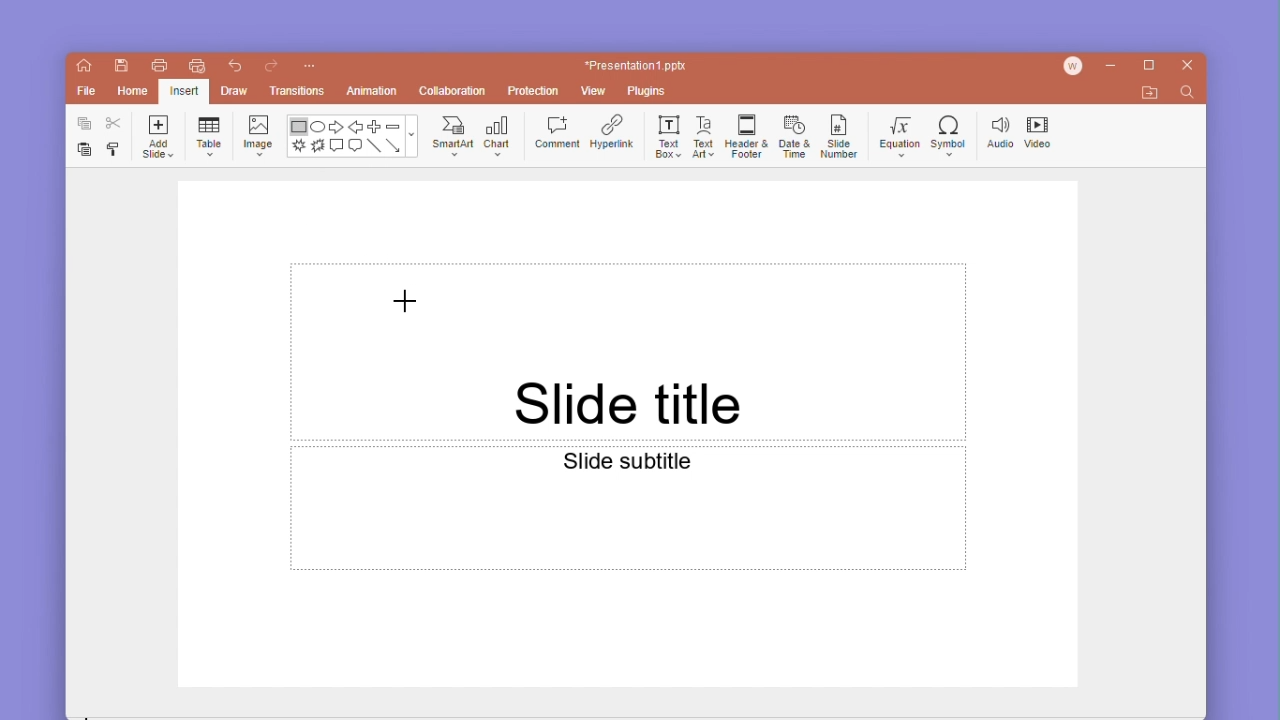 This screenshot has height=720, width=1280. I want to click on slide Title text, so click(626, 352).